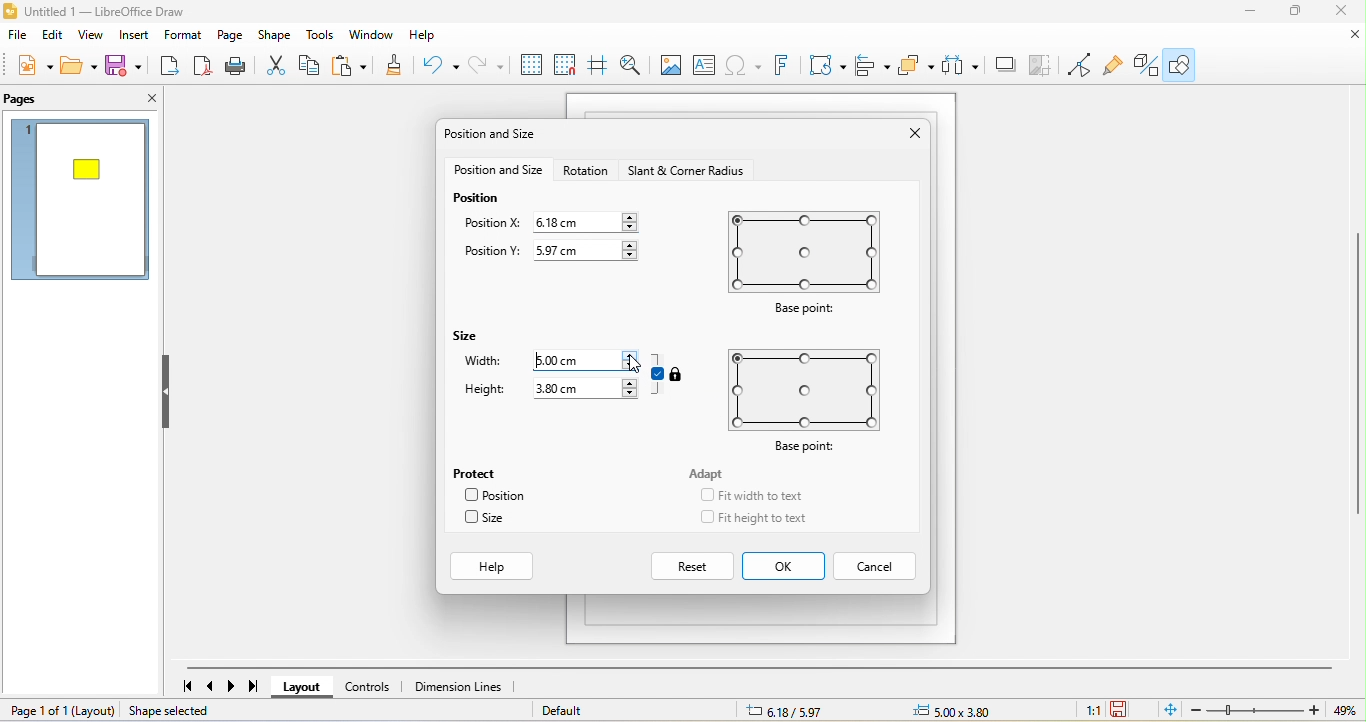 The width and height of the screenshot is (1366, 722). I want to click on height, so click(484, 390).